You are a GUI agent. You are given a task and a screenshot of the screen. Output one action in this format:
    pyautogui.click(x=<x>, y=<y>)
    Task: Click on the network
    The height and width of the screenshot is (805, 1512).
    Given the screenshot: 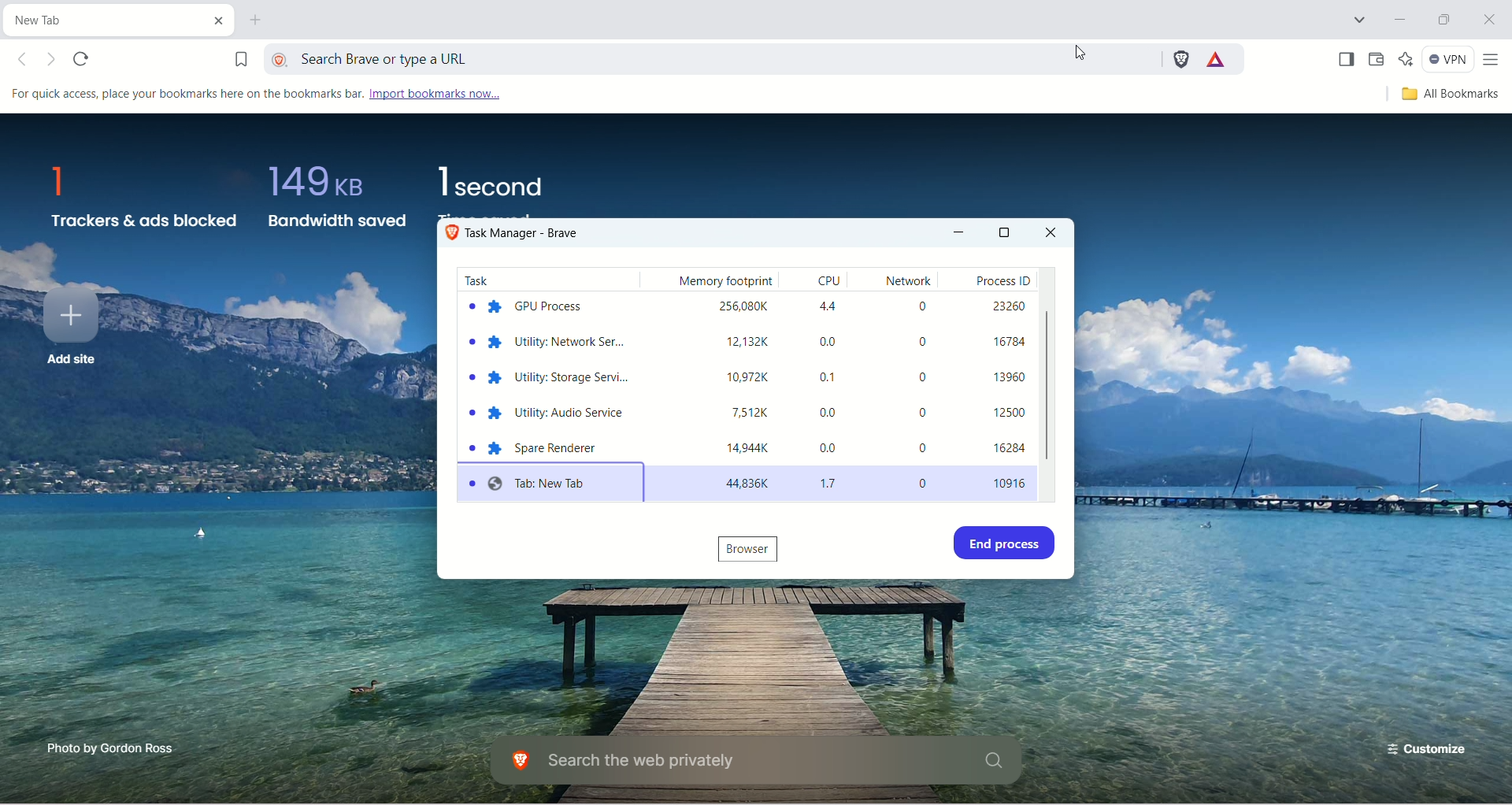 What is the action you would take?
    pyautogui.click(x=921, y=386)
    